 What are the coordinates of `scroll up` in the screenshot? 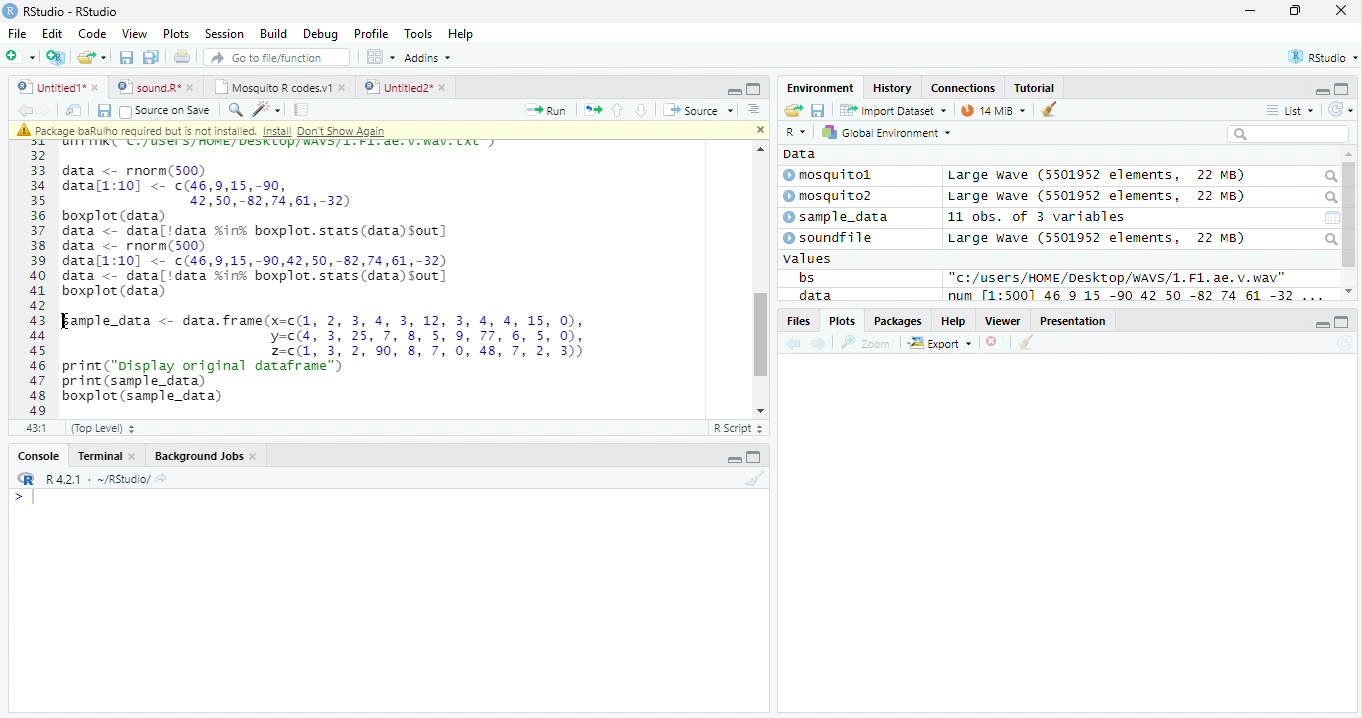 It's located at (1349, 155).